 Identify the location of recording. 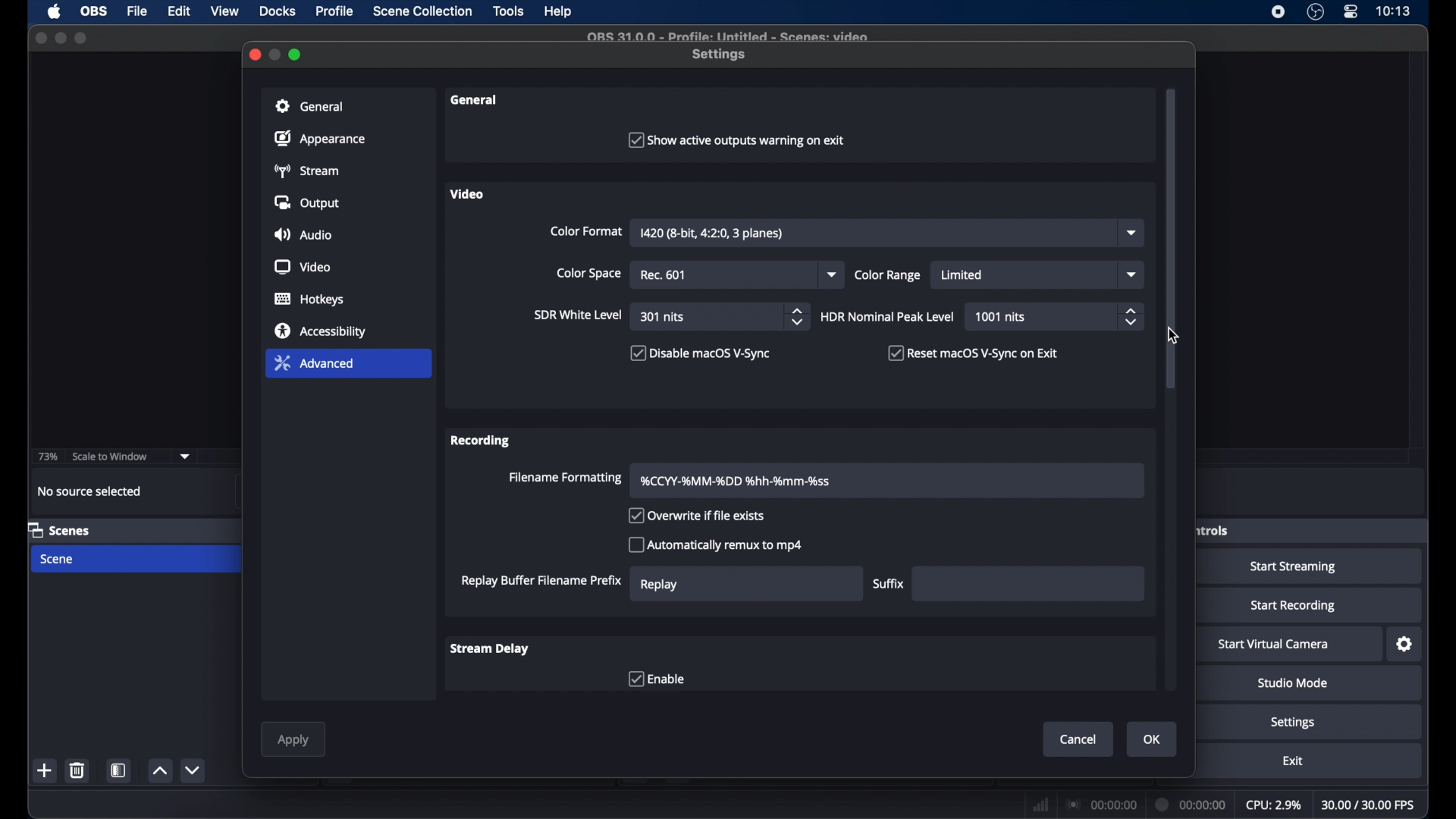
(482, 442).